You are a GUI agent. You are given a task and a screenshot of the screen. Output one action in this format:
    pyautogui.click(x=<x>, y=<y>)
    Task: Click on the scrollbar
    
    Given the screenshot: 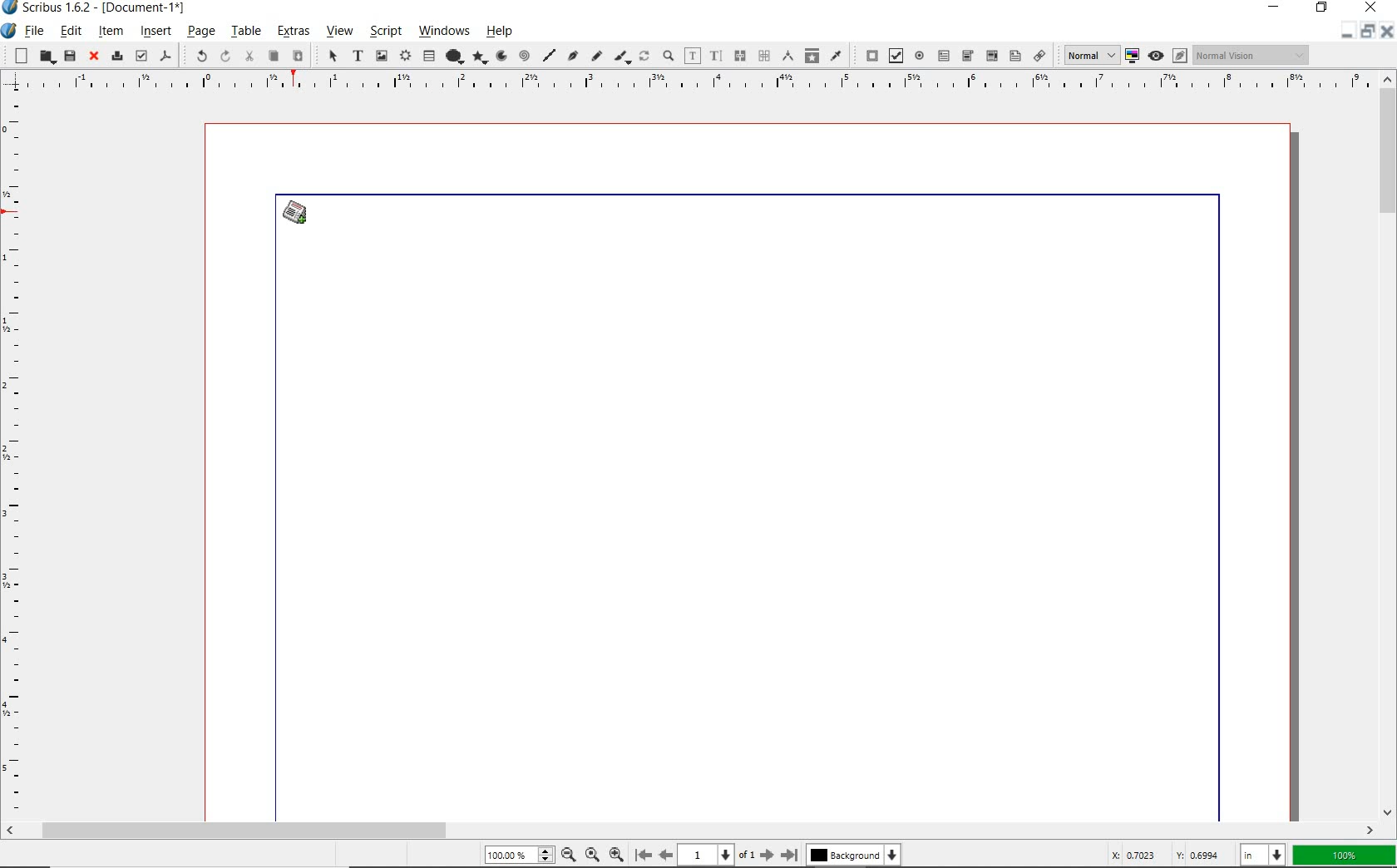 What is the action you would take?
    pyautogui.click(x=1389, y=446)
    